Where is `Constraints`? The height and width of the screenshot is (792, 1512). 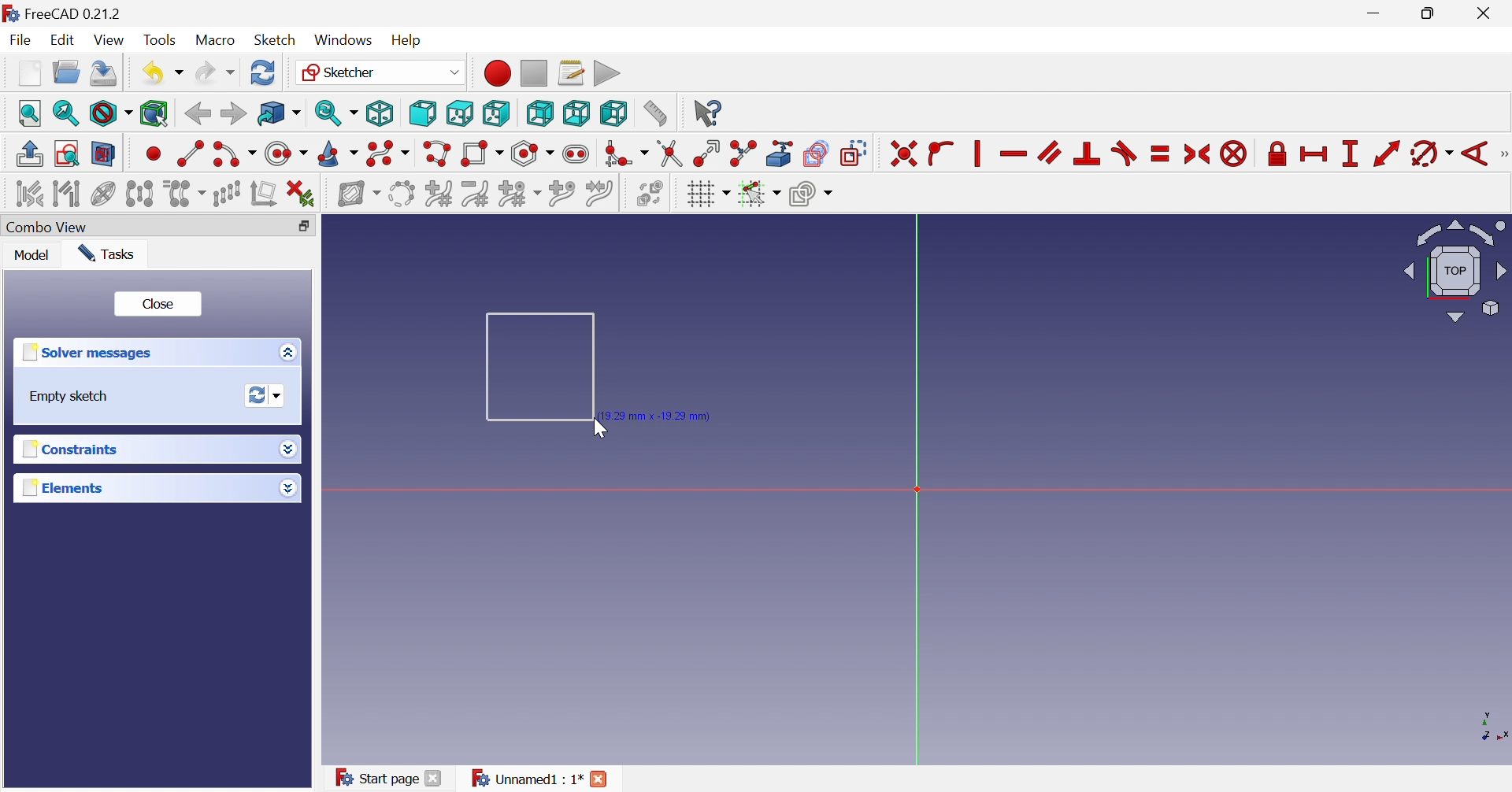 Constraints is located at coordinates (67, 451).